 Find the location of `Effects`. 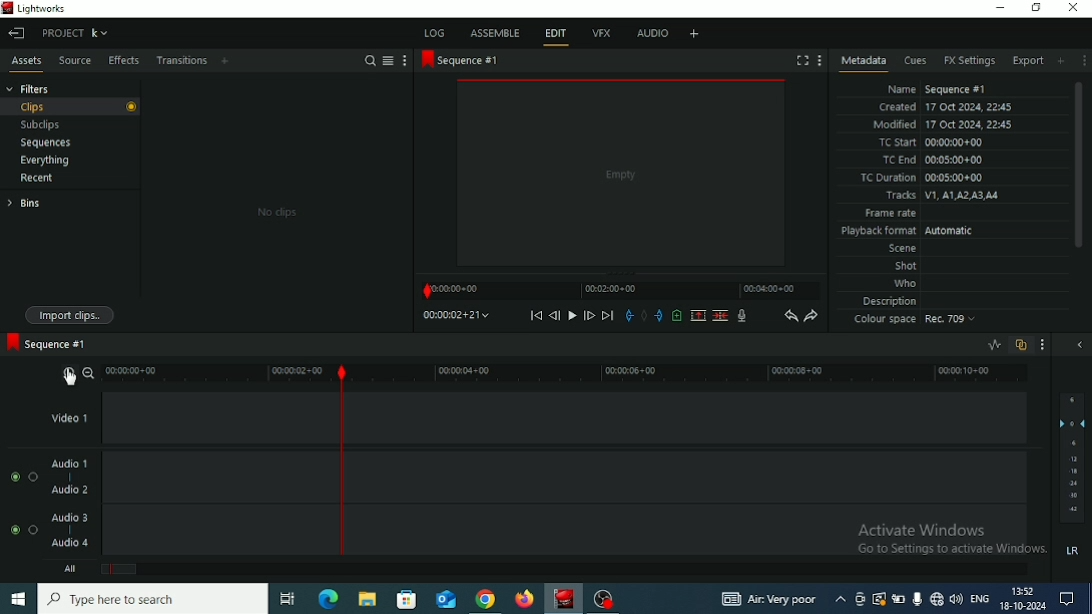

Effects is located at coordinates (122, 61).